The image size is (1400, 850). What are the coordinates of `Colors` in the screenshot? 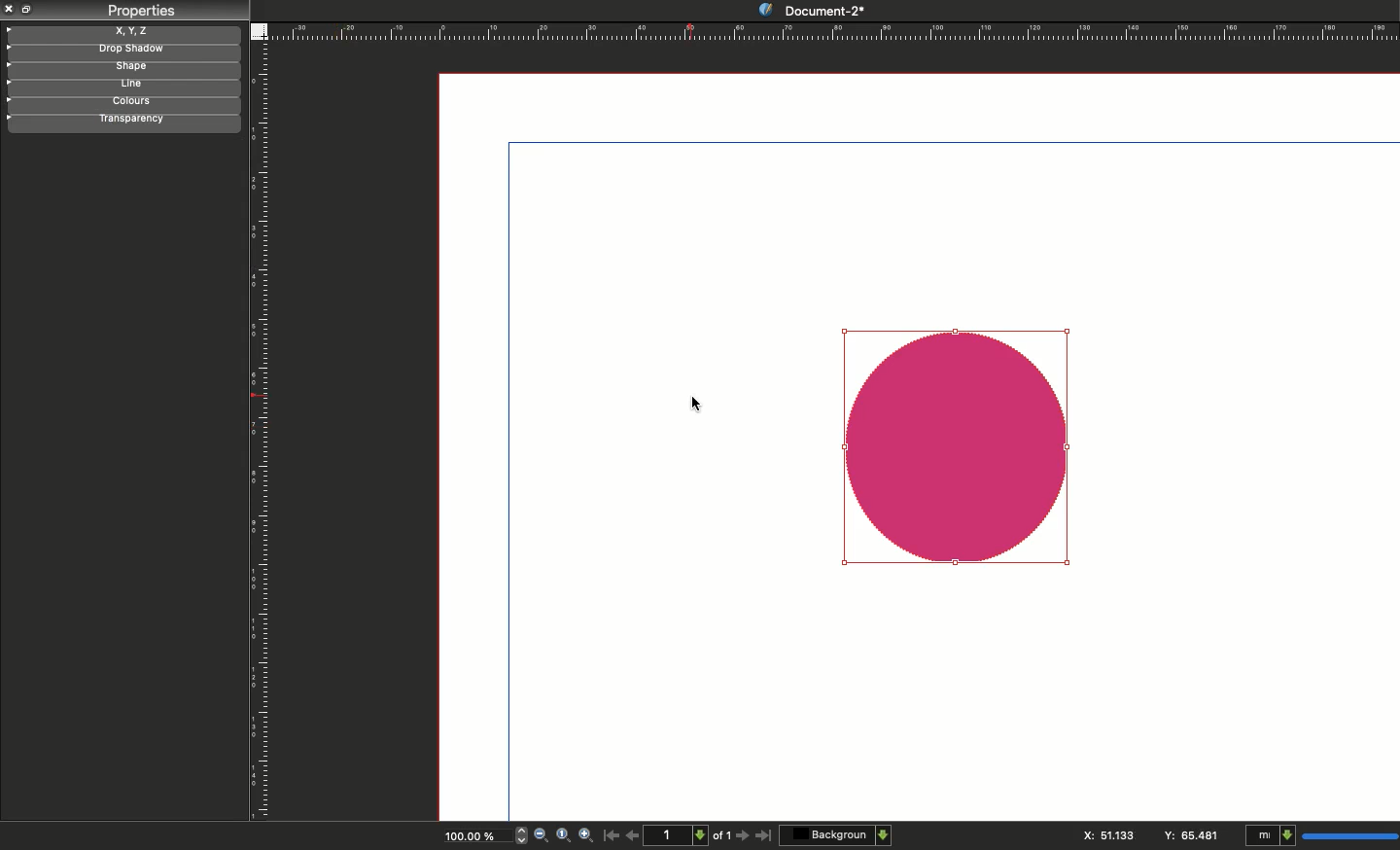 It's located at (122, 103).